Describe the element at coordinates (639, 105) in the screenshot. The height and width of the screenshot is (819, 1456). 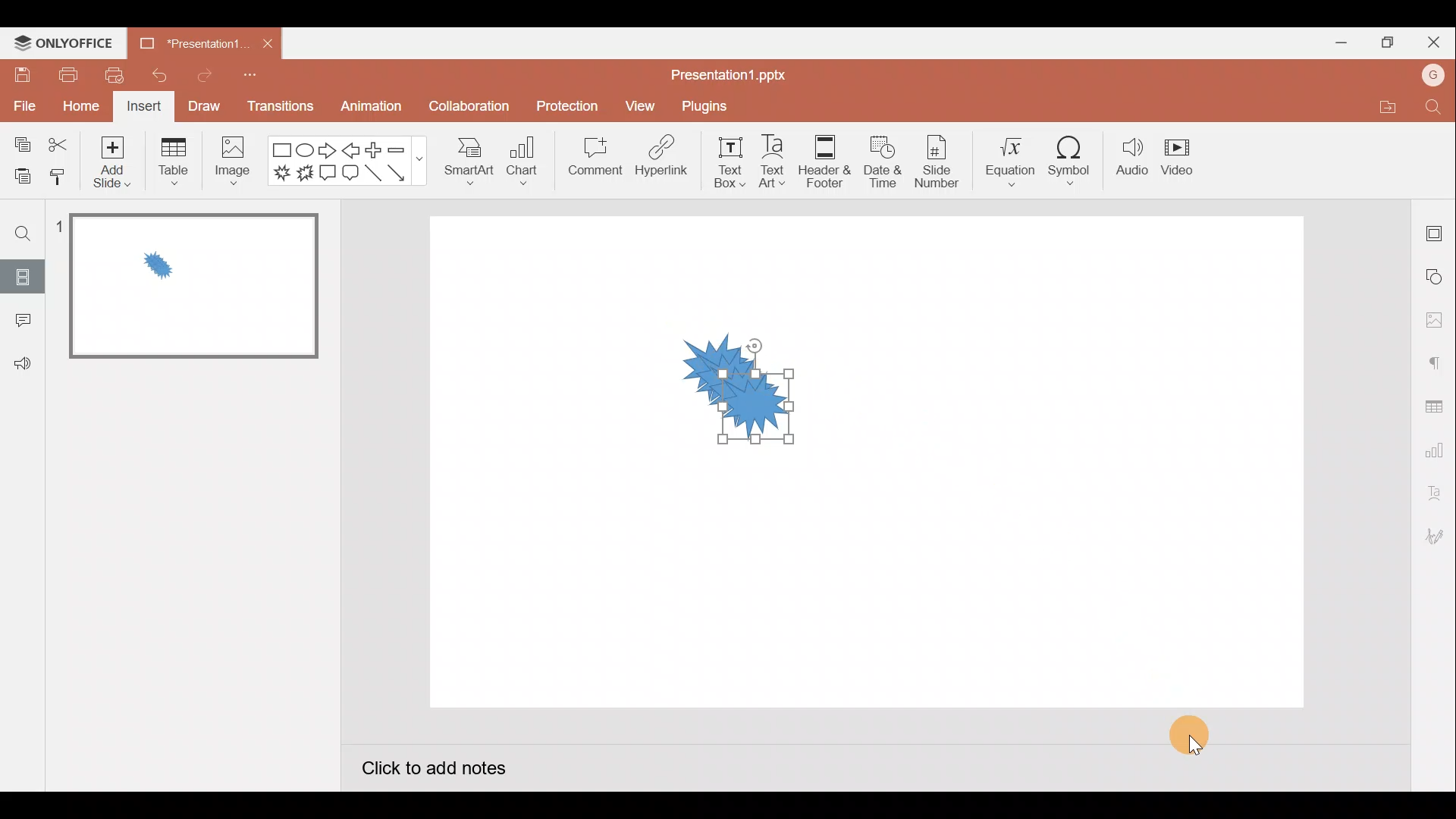
I see `View` at that location.